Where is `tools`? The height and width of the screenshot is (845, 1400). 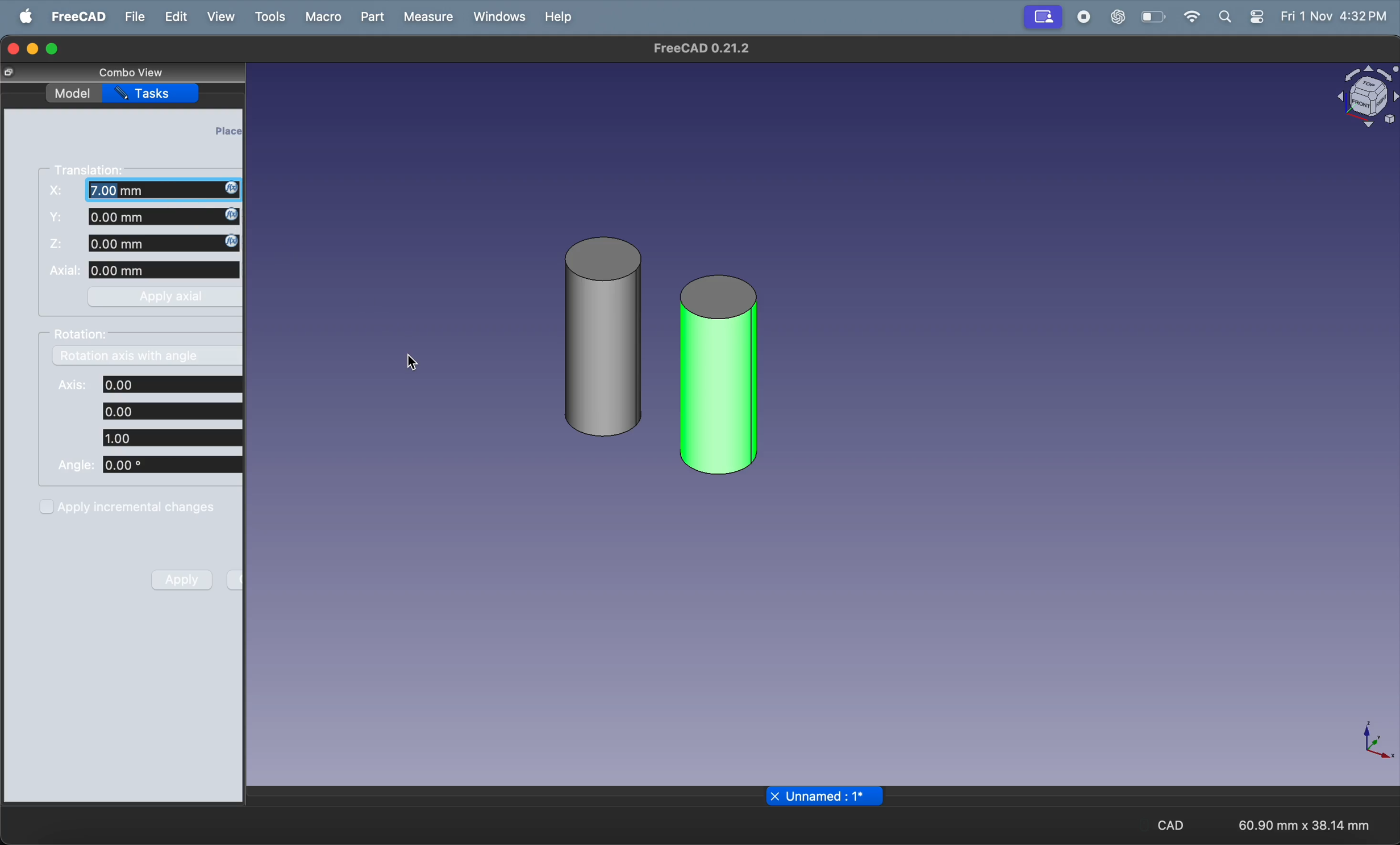 tools is located at coordinates (269, 17).